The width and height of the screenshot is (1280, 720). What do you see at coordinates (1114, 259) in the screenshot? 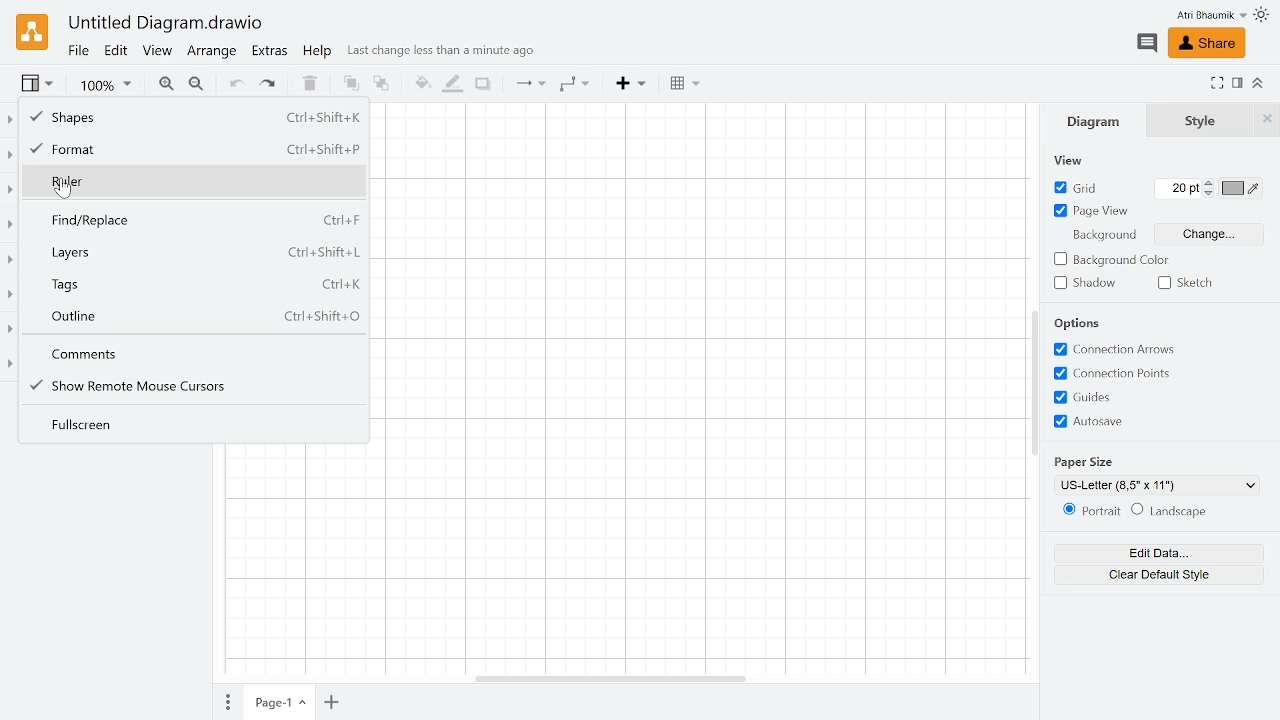
I see `Background color` at bounding box center [1114, 259].